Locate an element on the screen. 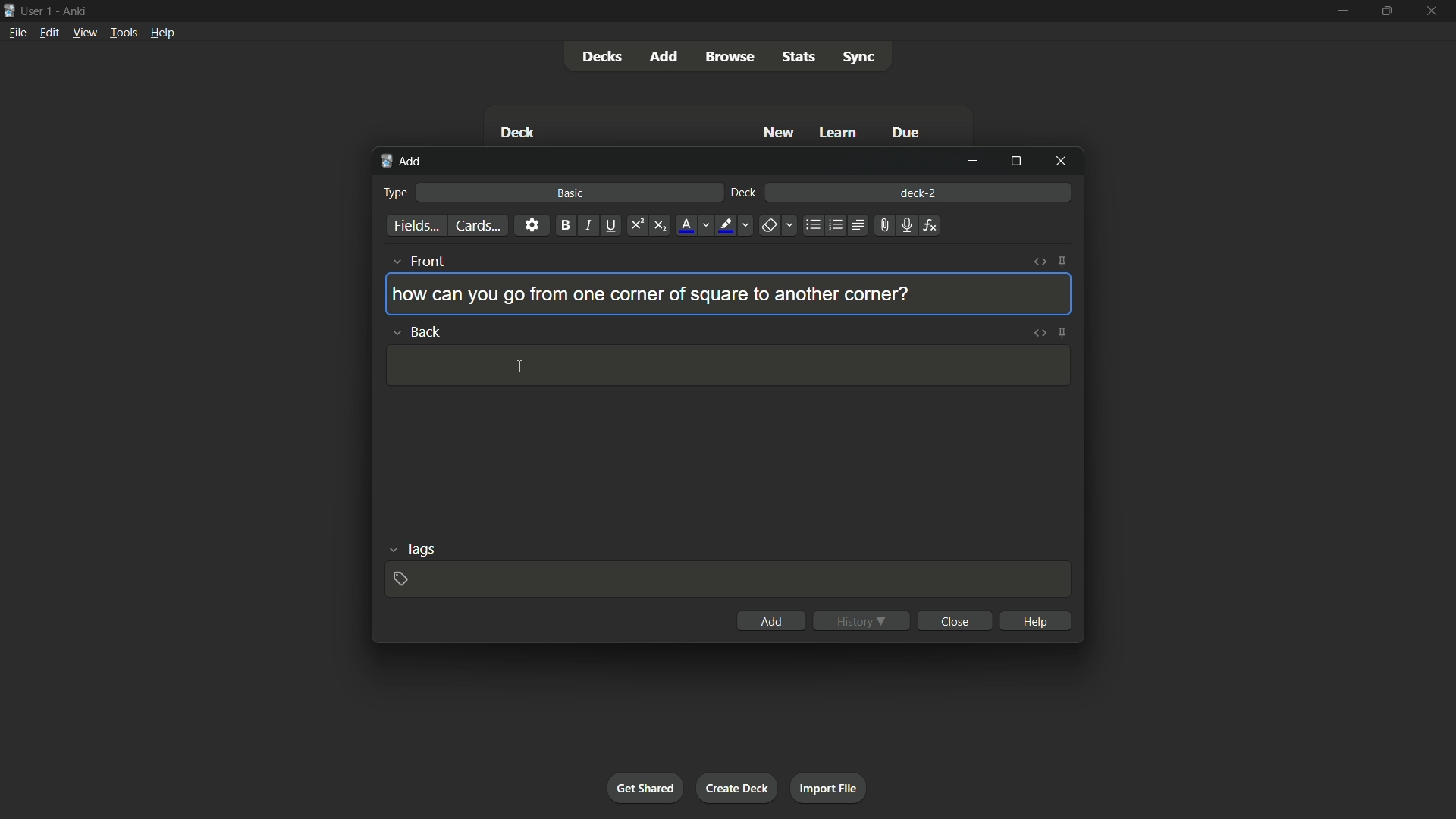  import file is located at coordinates (830, 789).